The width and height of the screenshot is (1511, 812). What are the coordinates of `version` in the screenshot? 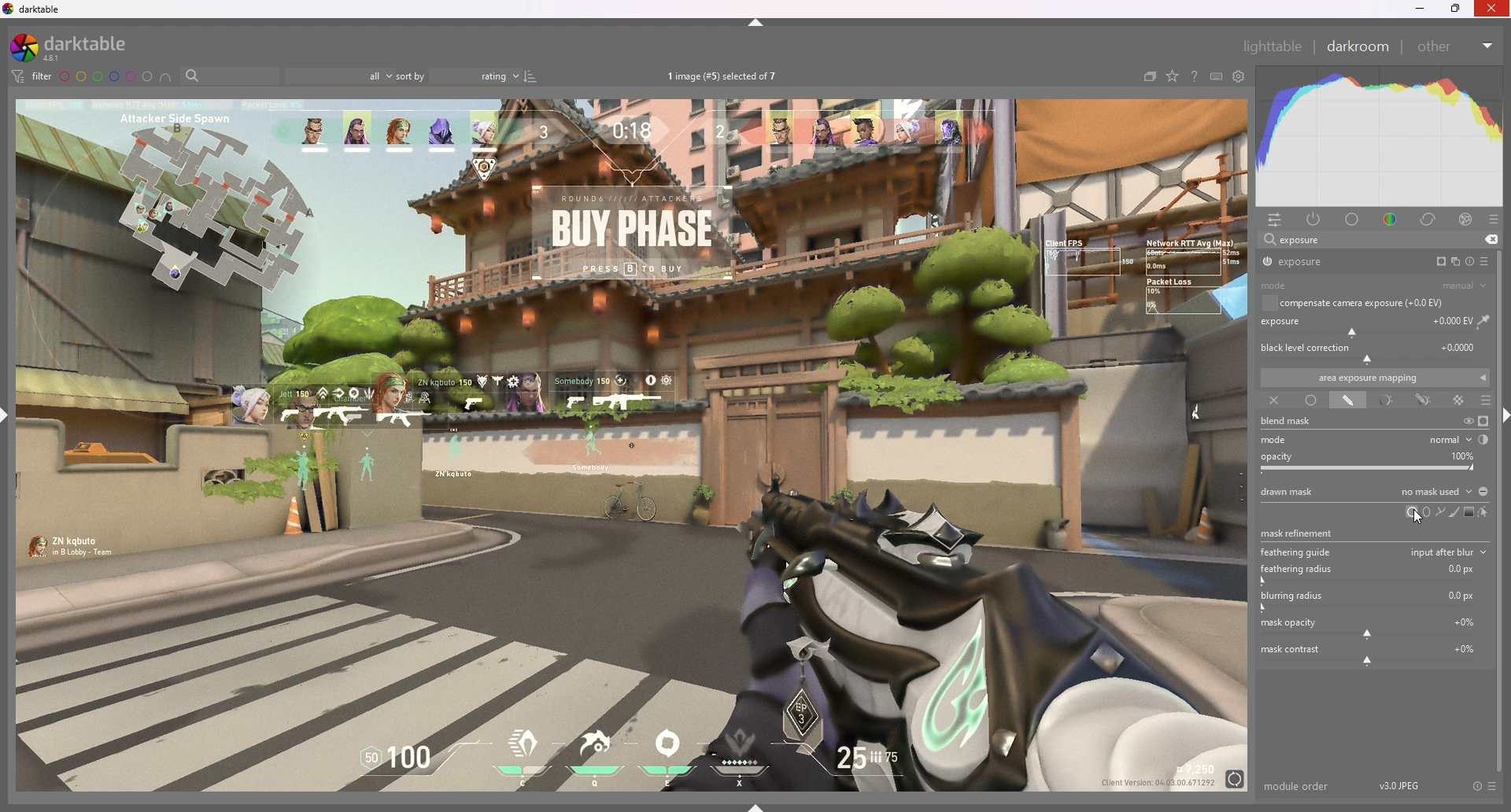 It's located at (1400, 784).